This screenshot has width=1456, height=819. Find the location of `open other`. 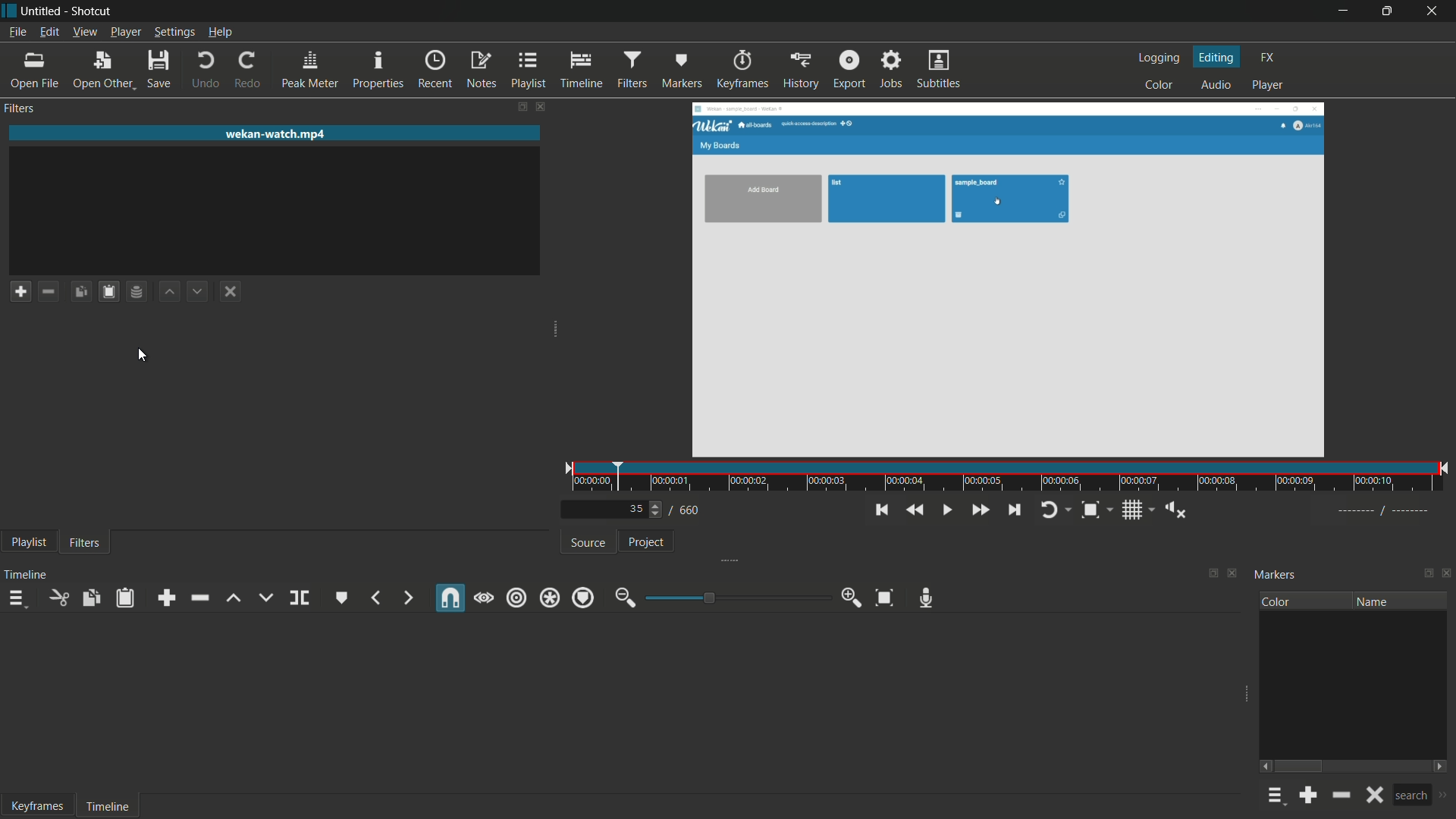

open other is located at coordinates (102, 71).